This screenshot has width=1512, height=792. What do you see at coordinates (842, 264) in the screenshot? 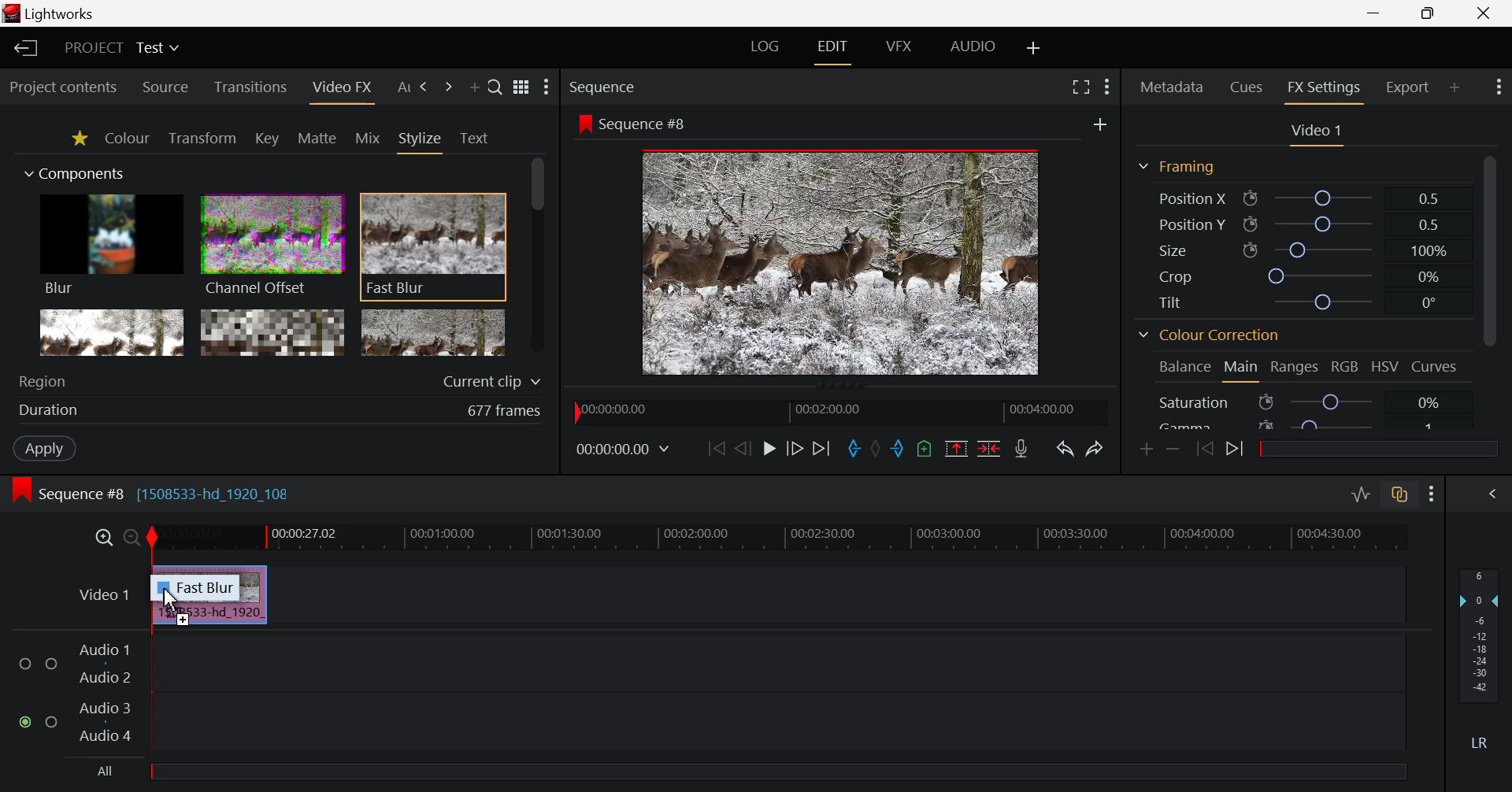
I see `Sequence #8 Preview Screen` at bounding box center [842, 264].